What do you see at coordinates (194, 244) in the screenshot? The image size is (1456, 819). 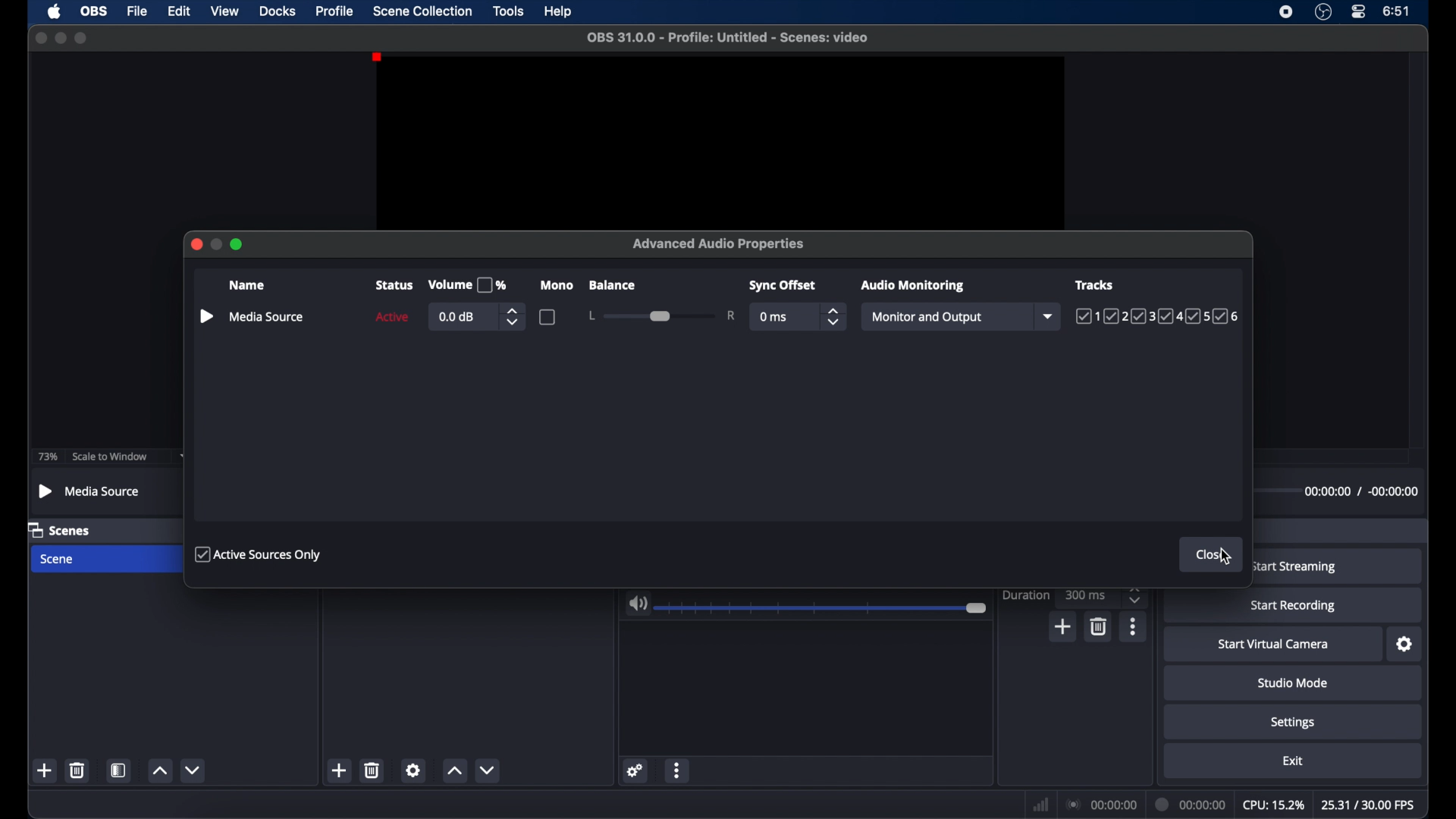 I see `close` at bounding box center [194, 244].